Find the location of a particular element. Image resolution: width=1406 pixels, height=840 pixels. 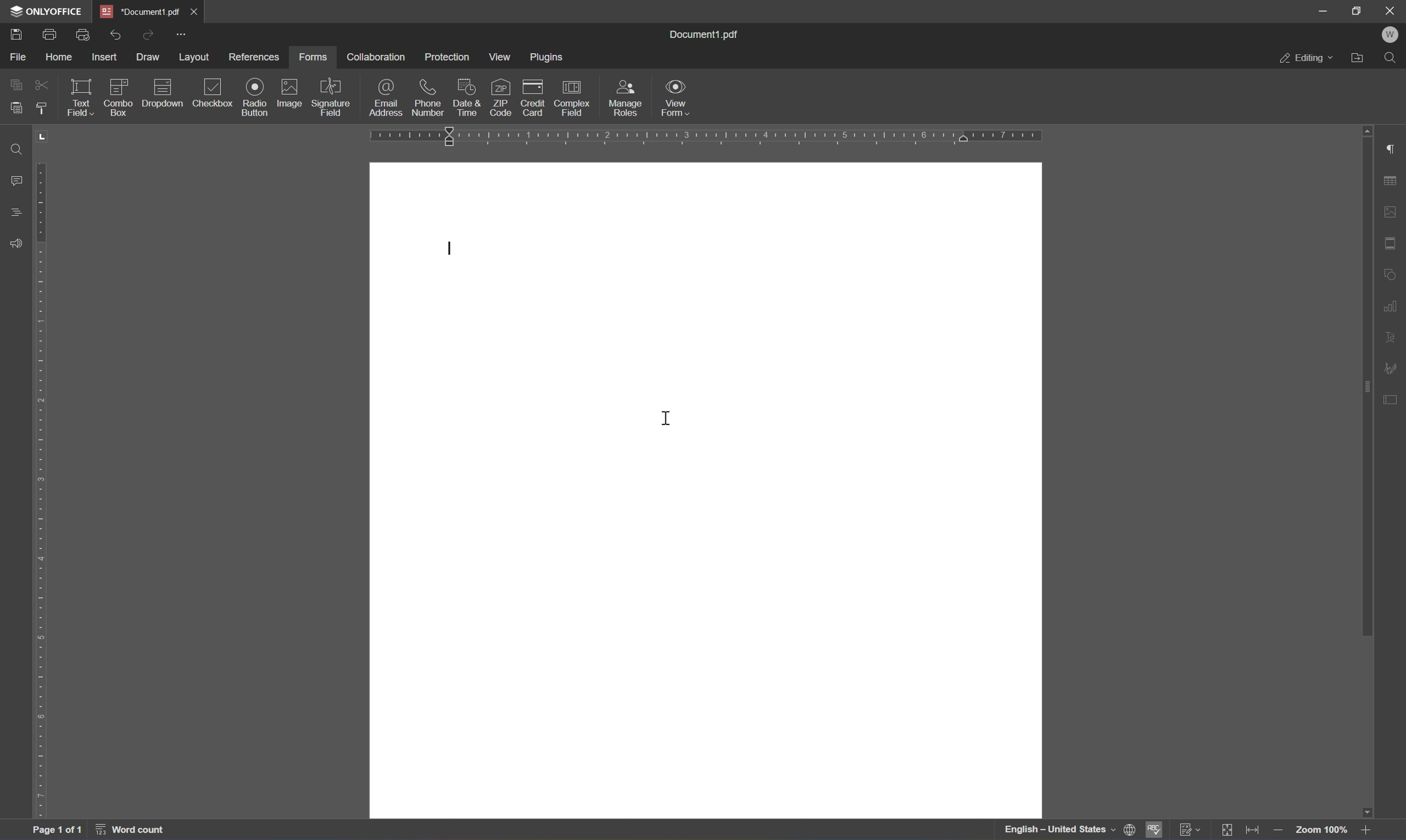

quick print is located at coordinates (82, 35).